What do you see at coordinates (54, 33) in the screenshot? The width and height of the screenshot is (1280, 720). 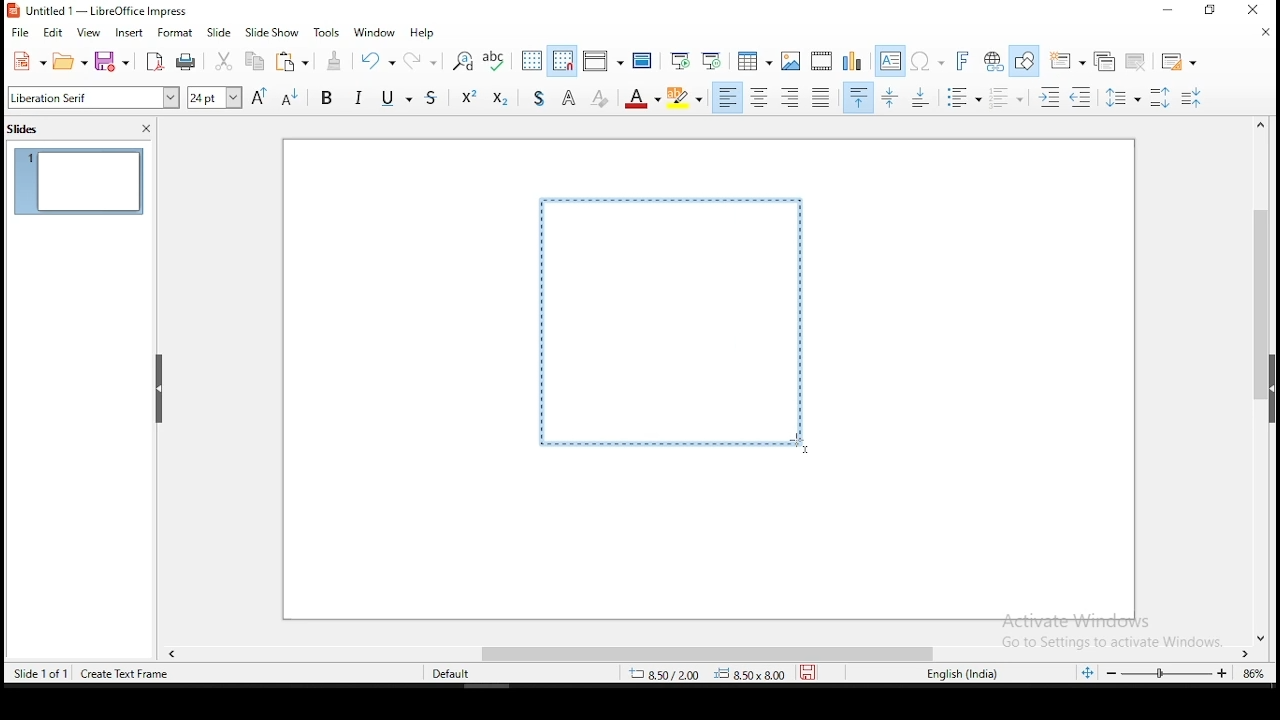 I see `edit` at bounding box center [54, 33].